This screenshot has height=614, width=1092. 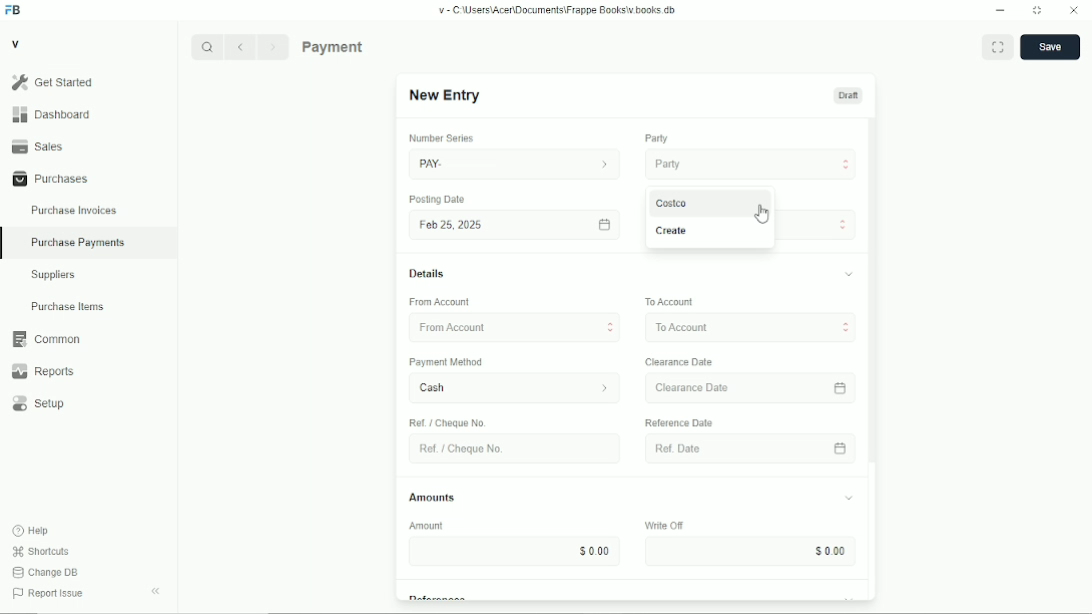 What do you see at coordinates (88, 146) in the screenshot?
I see `Sales` at bounding box center [88, 146].